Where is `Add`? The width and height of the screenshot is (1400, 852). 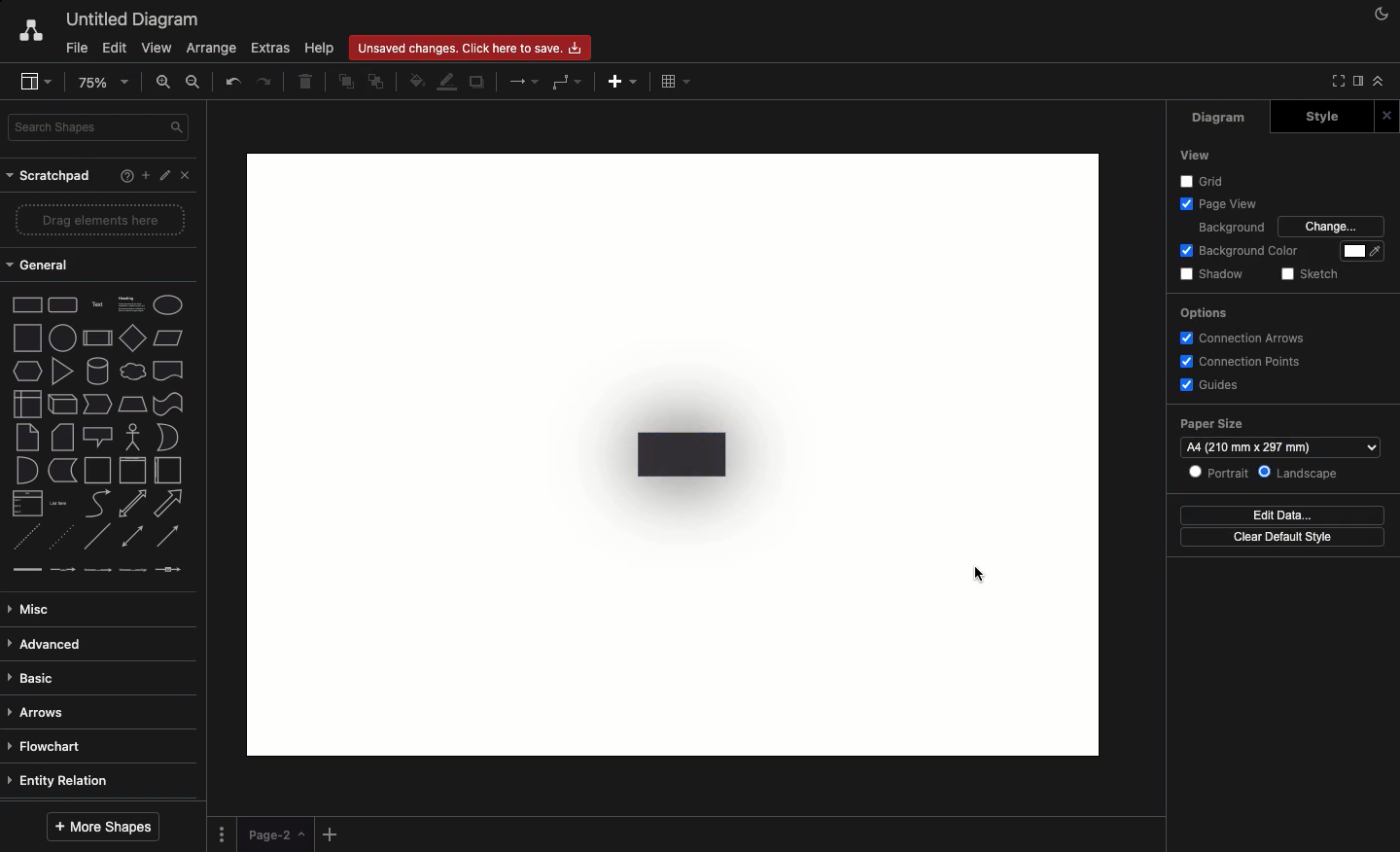 Add is located at coordinates (332, 834).